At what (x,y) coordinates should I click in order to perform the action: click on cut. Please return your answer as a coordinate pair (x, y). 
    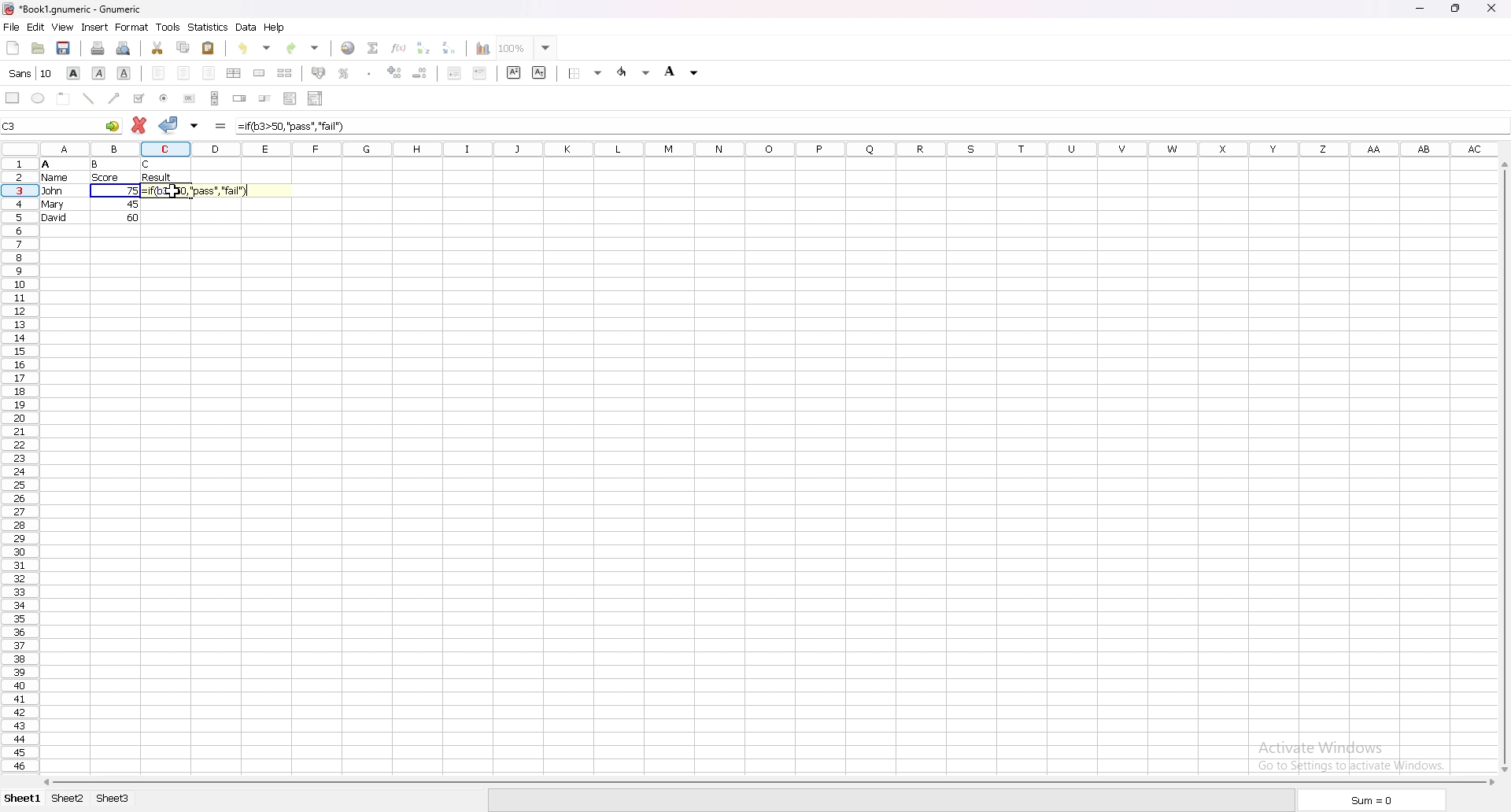
    Looking at the image, I should click on (157, 48).